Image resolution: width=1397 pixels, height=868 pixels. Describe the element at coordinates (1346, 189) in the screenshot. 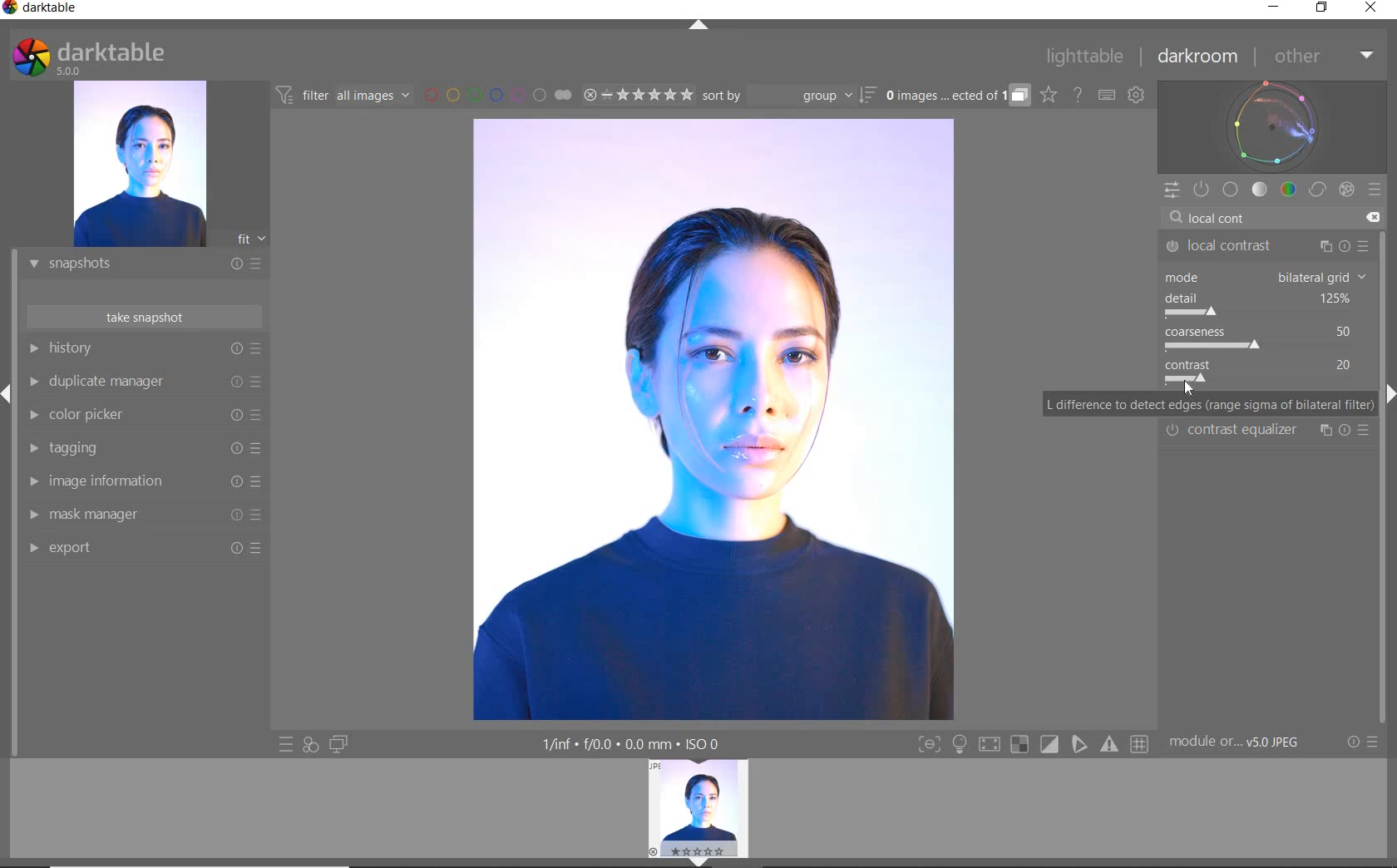

I see `EFFECT` at that location.